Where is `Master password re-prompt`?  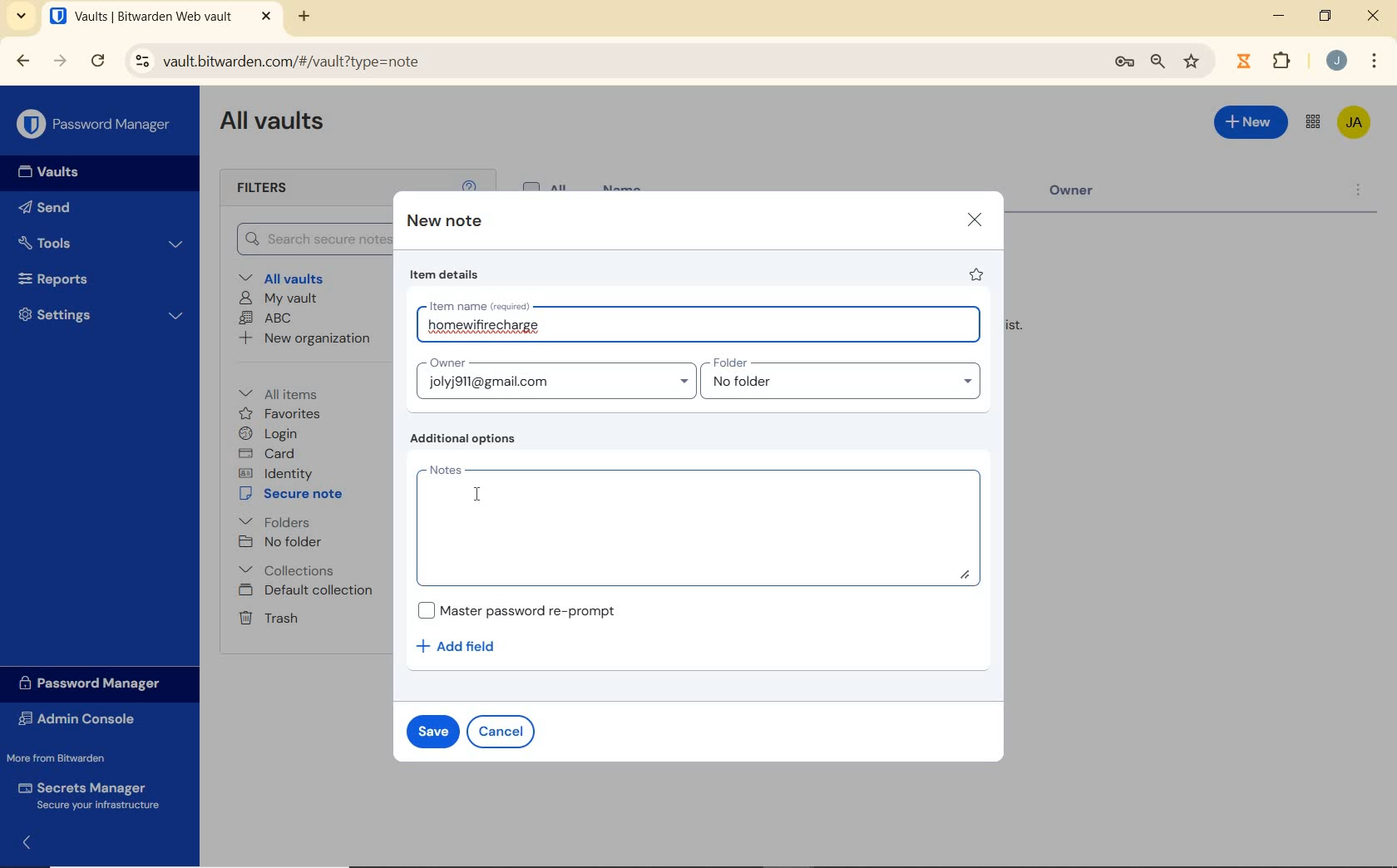
Master password re-prompt is located at coordinates (526, 609).